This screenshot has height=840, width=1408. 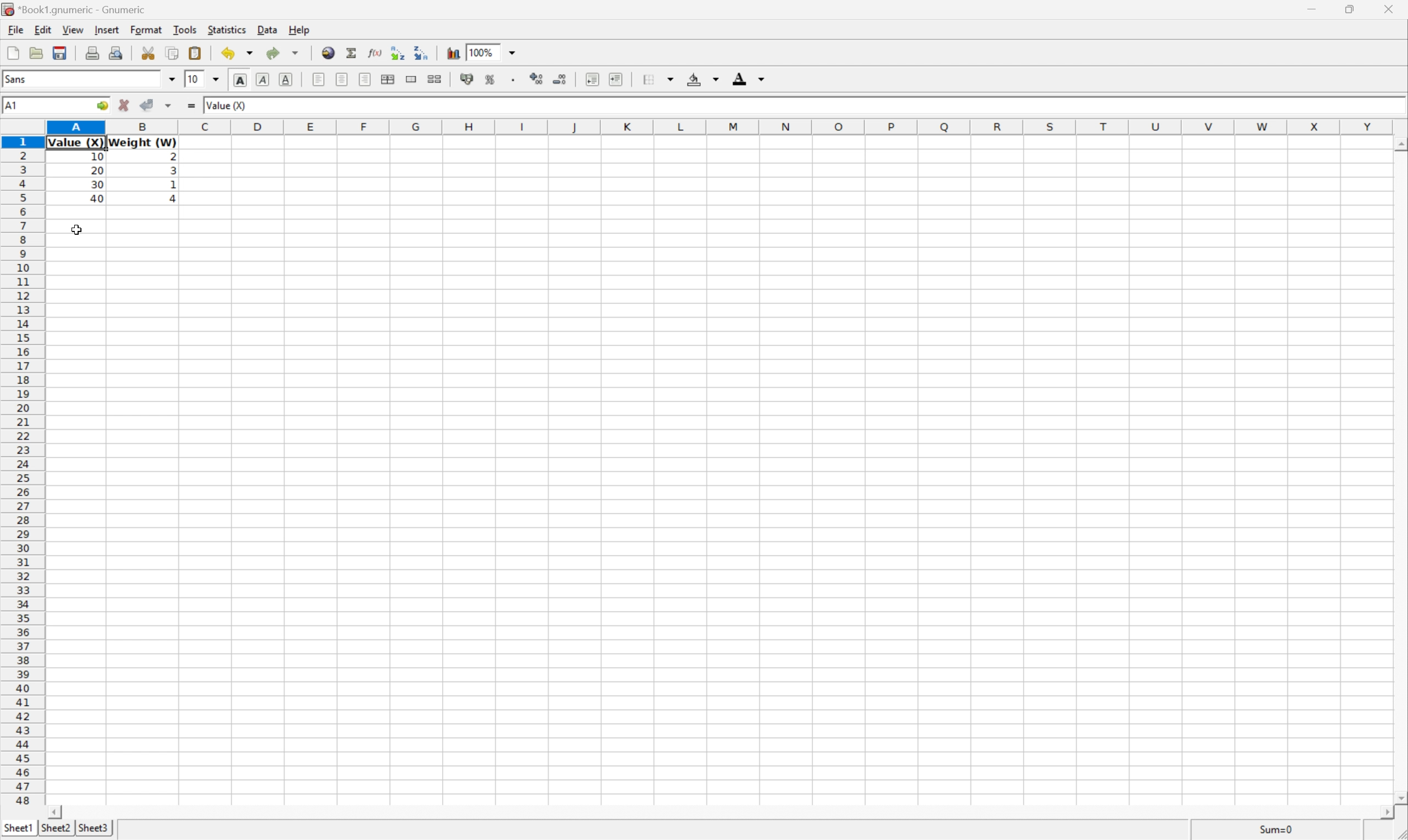 What do you see at coordinates (343, 80) in the screenshot?
I see `Center horizontally` at bounding box center [343, 80].